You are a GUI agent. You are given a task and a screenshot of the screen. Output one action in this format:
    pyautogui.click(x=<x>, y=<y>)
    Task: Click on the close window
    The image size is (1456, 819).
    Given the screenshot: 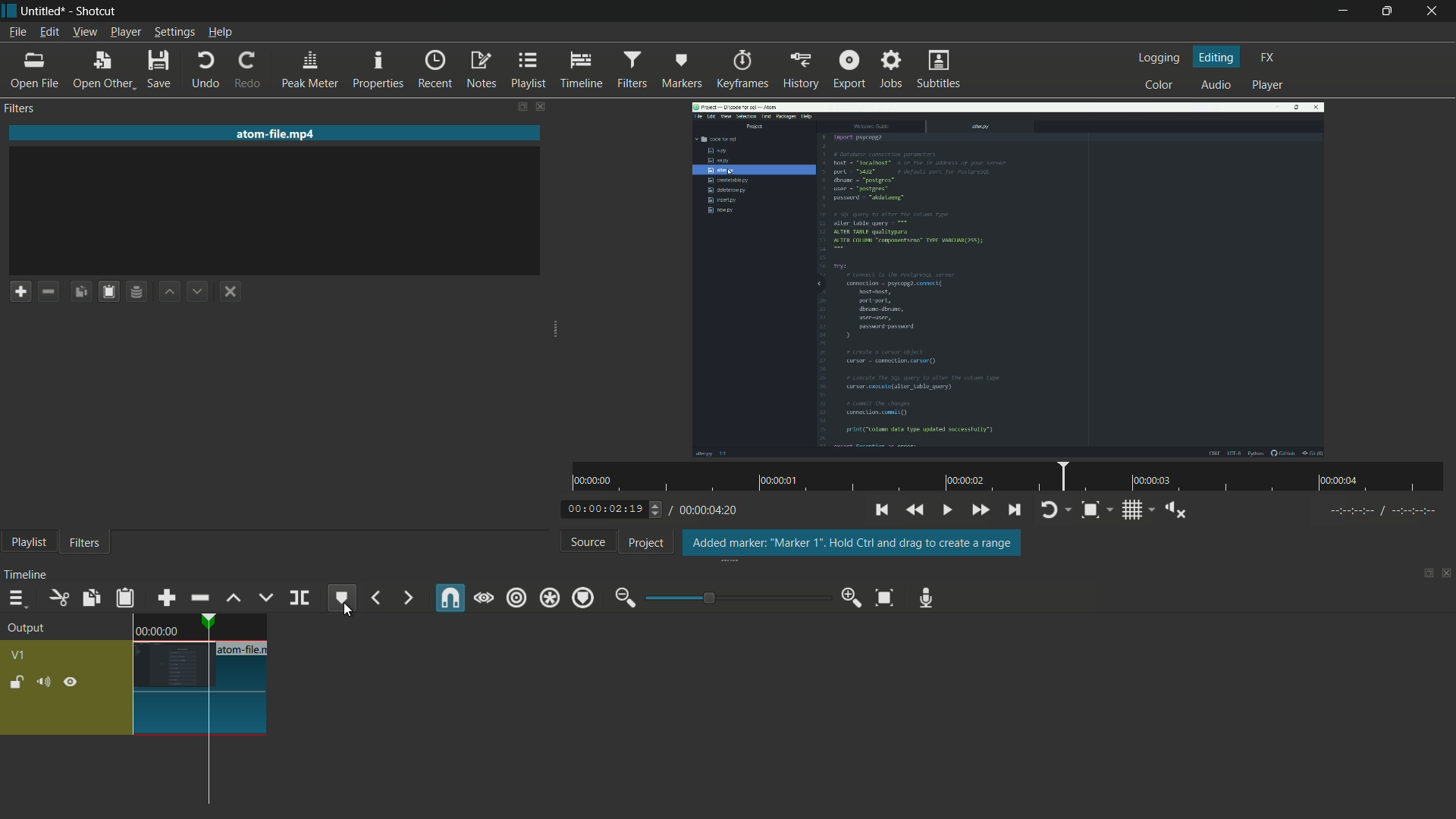 What is the action you would take?
    pyautogui.click(x=1432, y=11)
    